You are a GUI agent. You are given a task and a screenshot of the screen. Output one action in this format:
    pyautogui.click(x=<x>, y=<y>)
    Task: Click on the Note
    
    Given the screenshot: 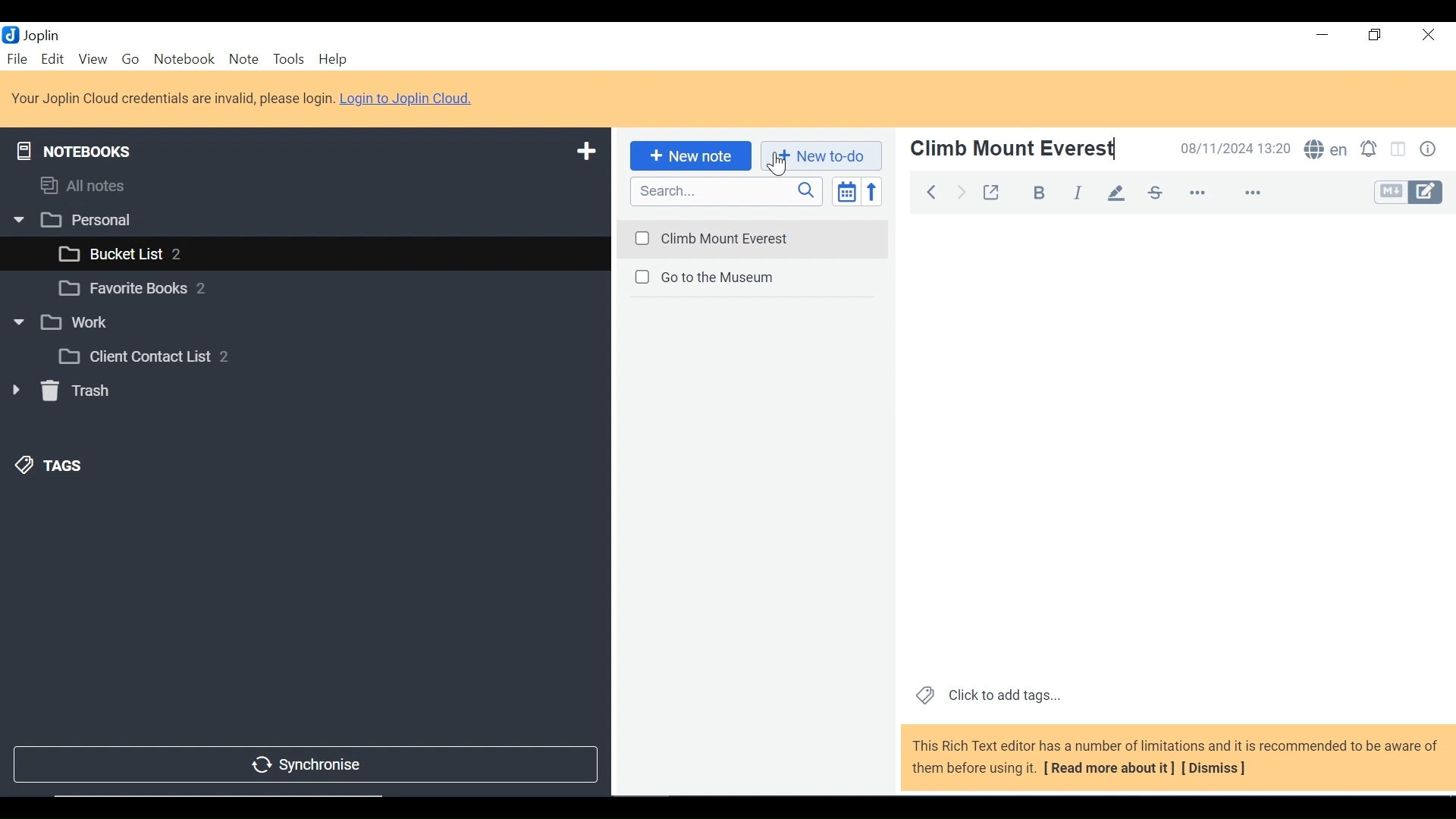 What is the action you would take?
    pyautogui.click(x=243, y=60)
    